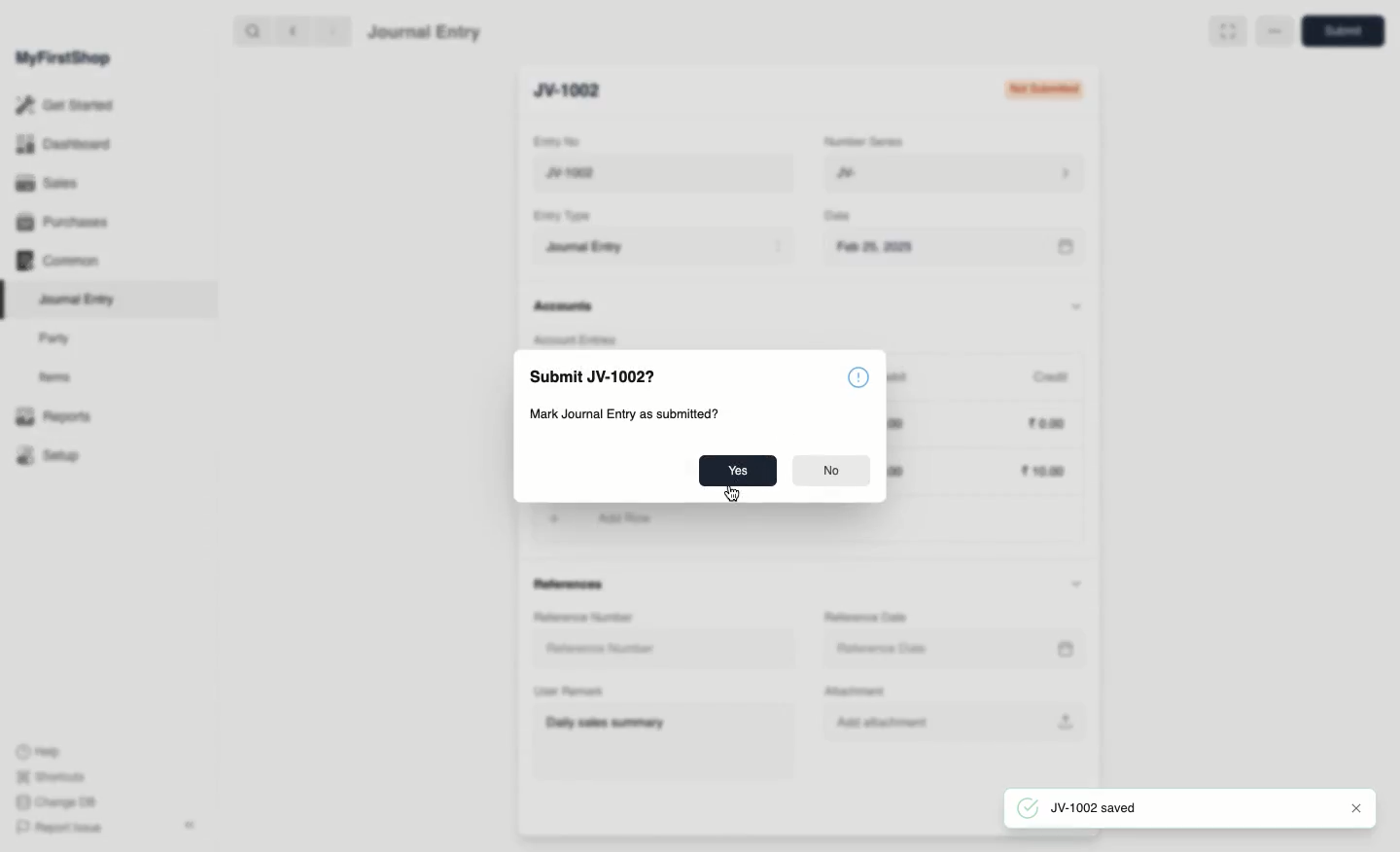 The width and height of the screenshot is (1400, 852). Describe the element at coordinates (61, 59) in the screenshot. I see `MyFirstShop` at that location.